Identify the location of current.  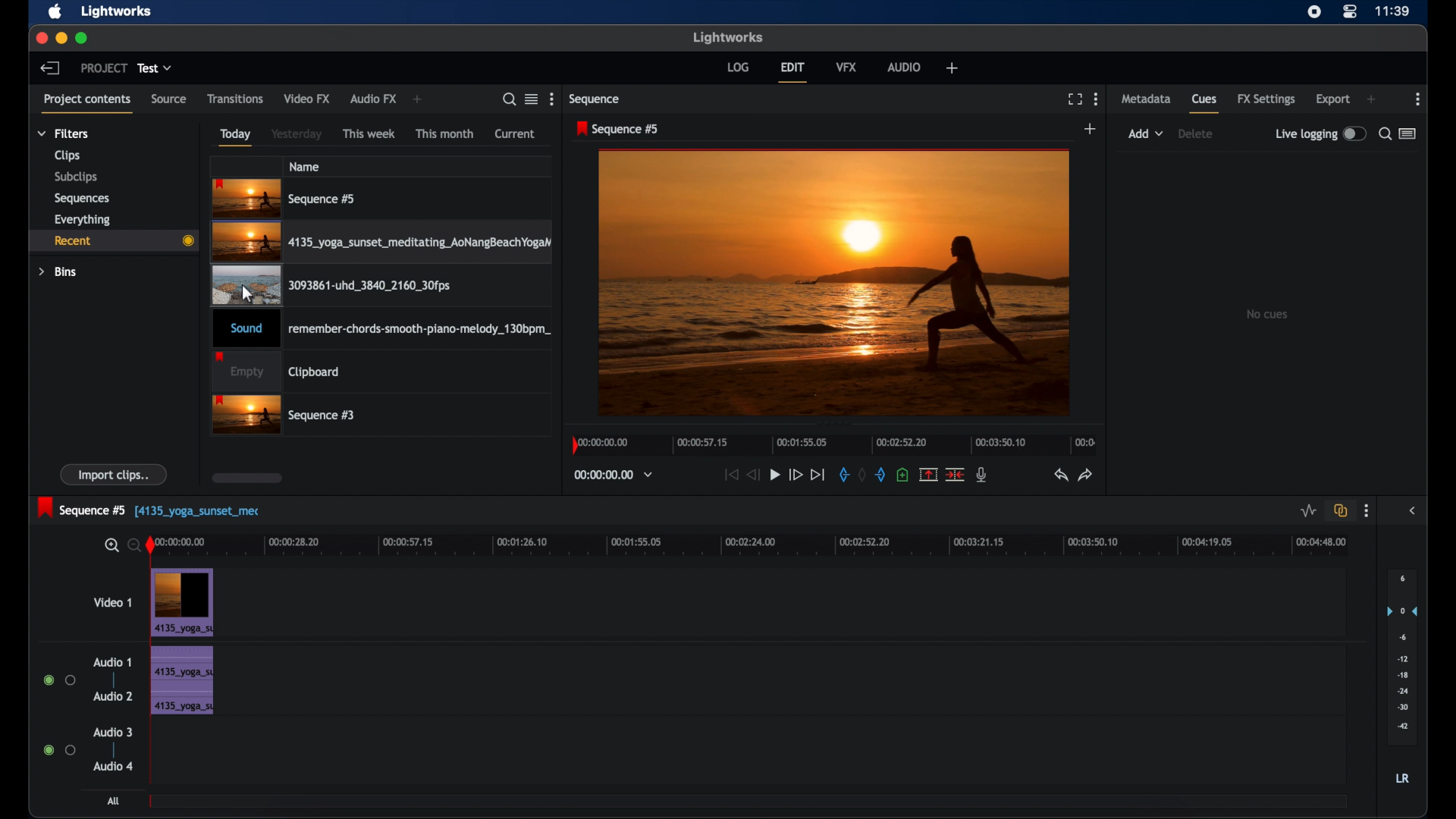
(516, 133).